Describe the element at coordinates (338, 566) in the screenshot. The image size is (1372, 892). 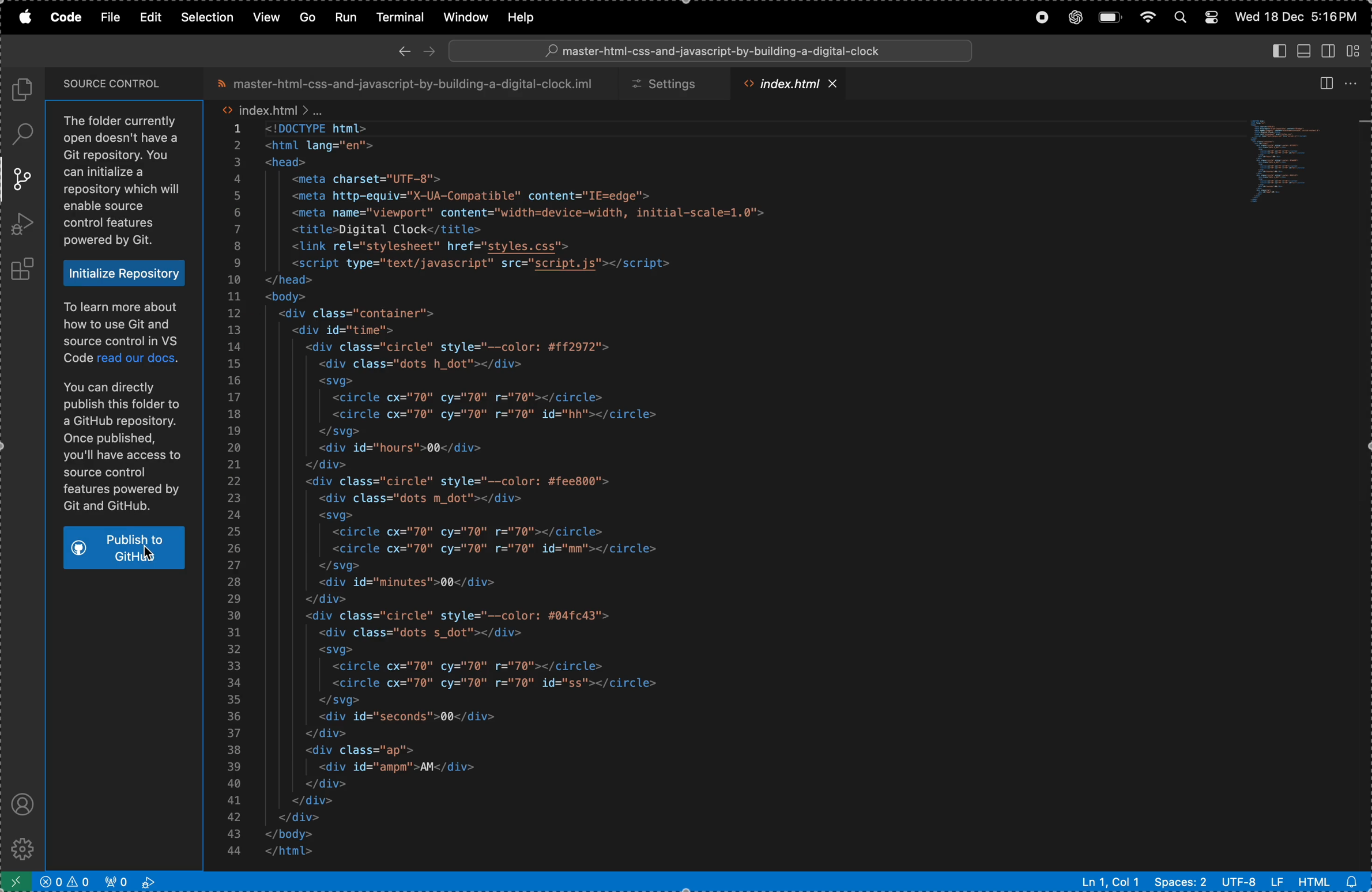
I see `</svg>` at that location.